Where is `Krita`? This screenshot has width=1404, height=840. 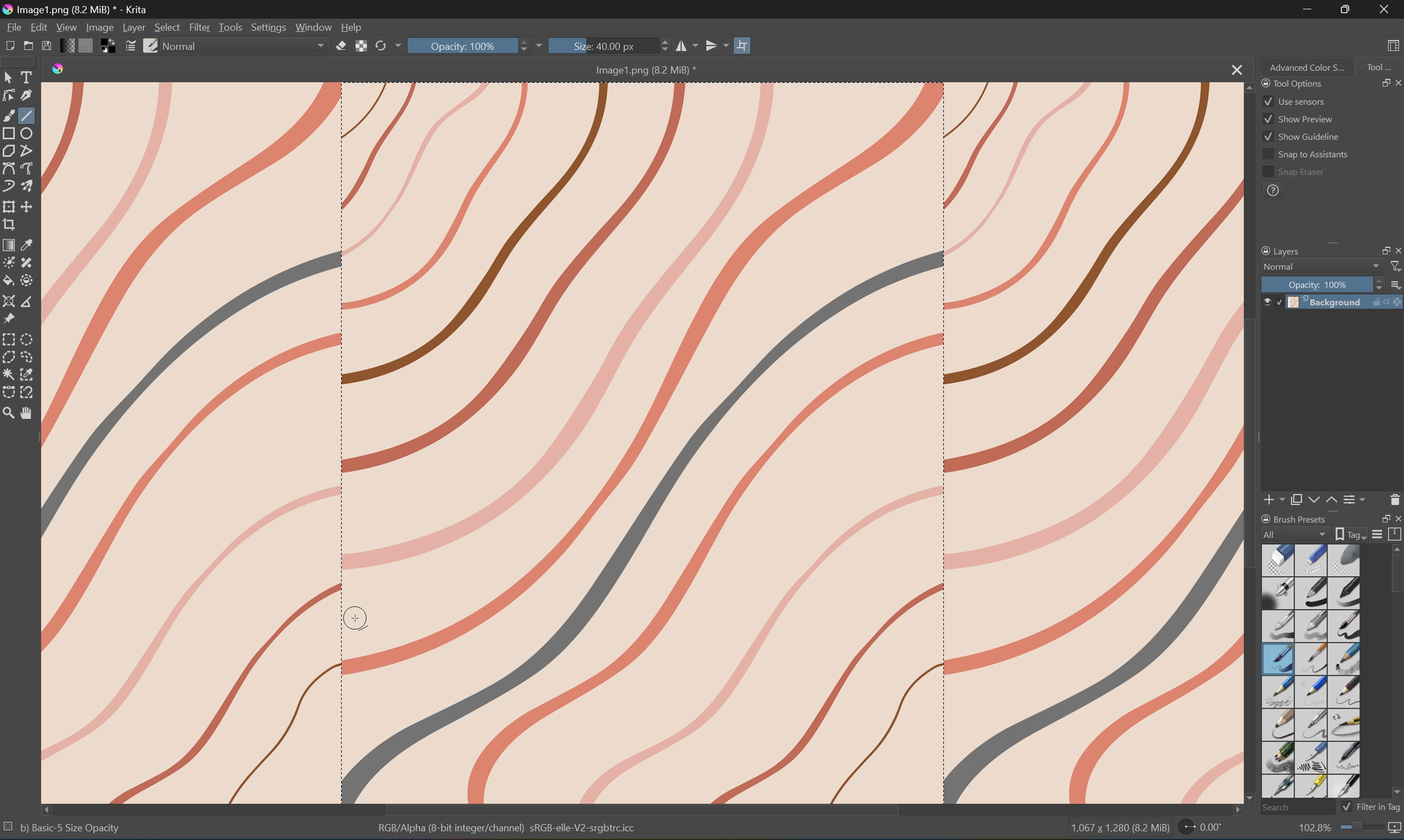
Krita is located at coordinates (59, 70).